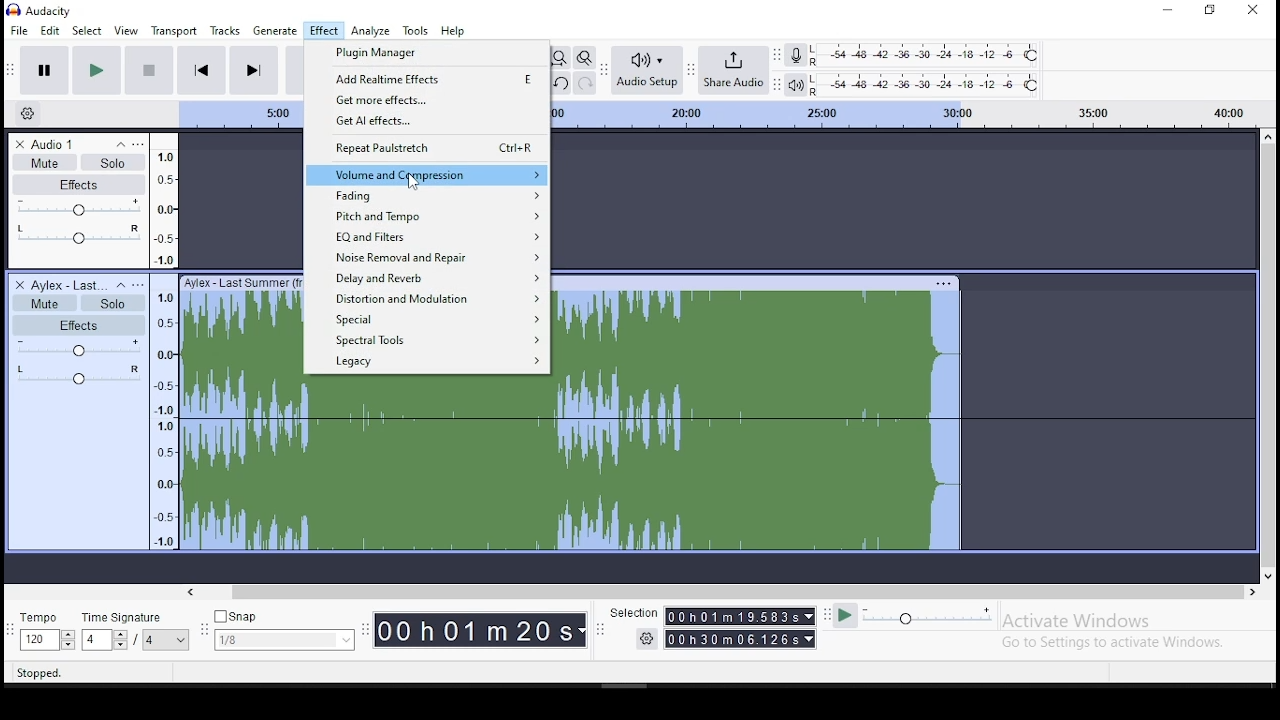 Image resolution: width=1280 pixels, height=720 pixels. What do you see at coordinates (43, 302) in the screenshot?
I see `mute` at bounding box center [43, 302].